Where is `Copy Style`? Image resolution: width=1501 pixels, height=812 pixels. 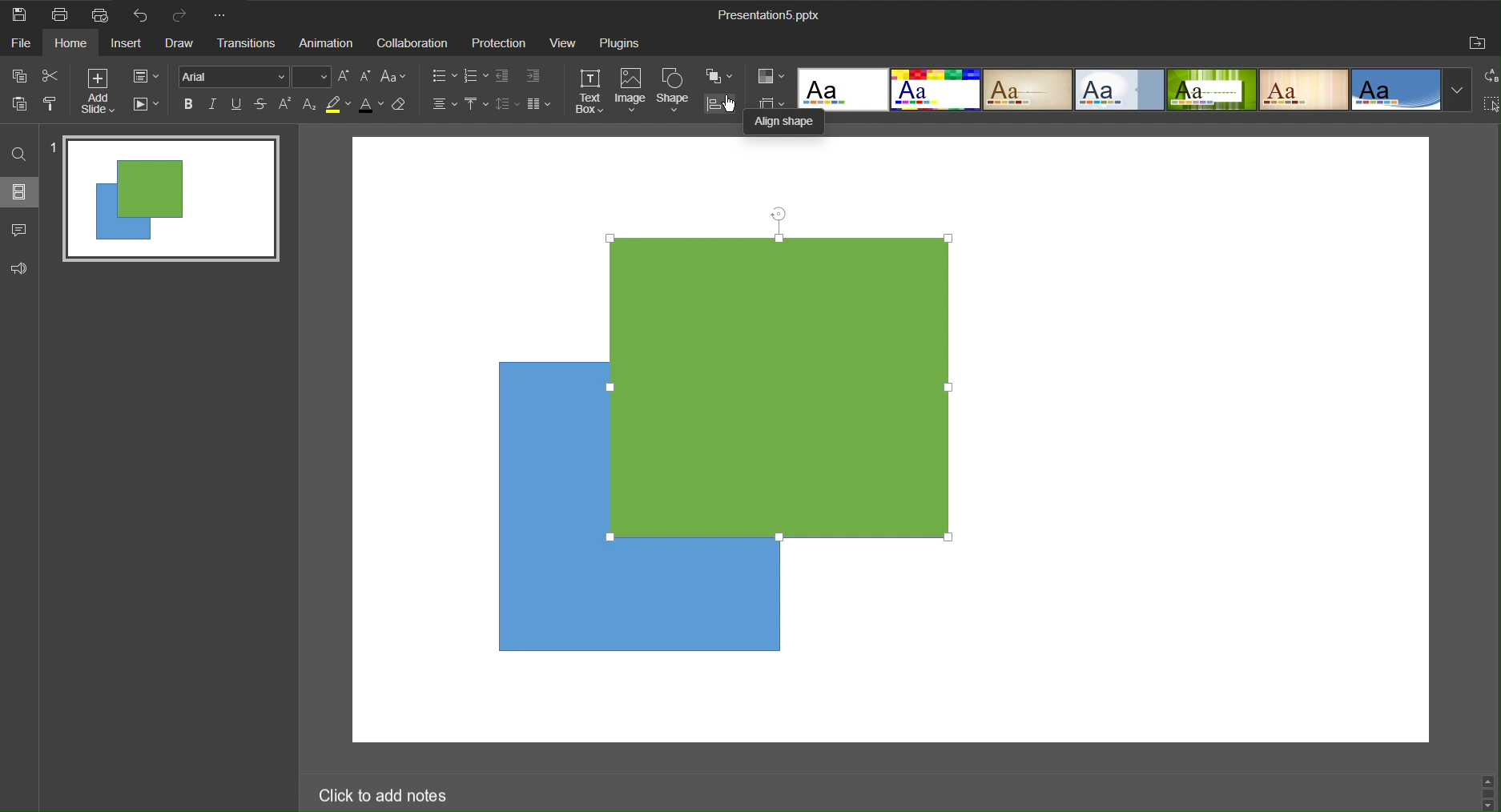
Copy Style is located at coordinates (53, 105).